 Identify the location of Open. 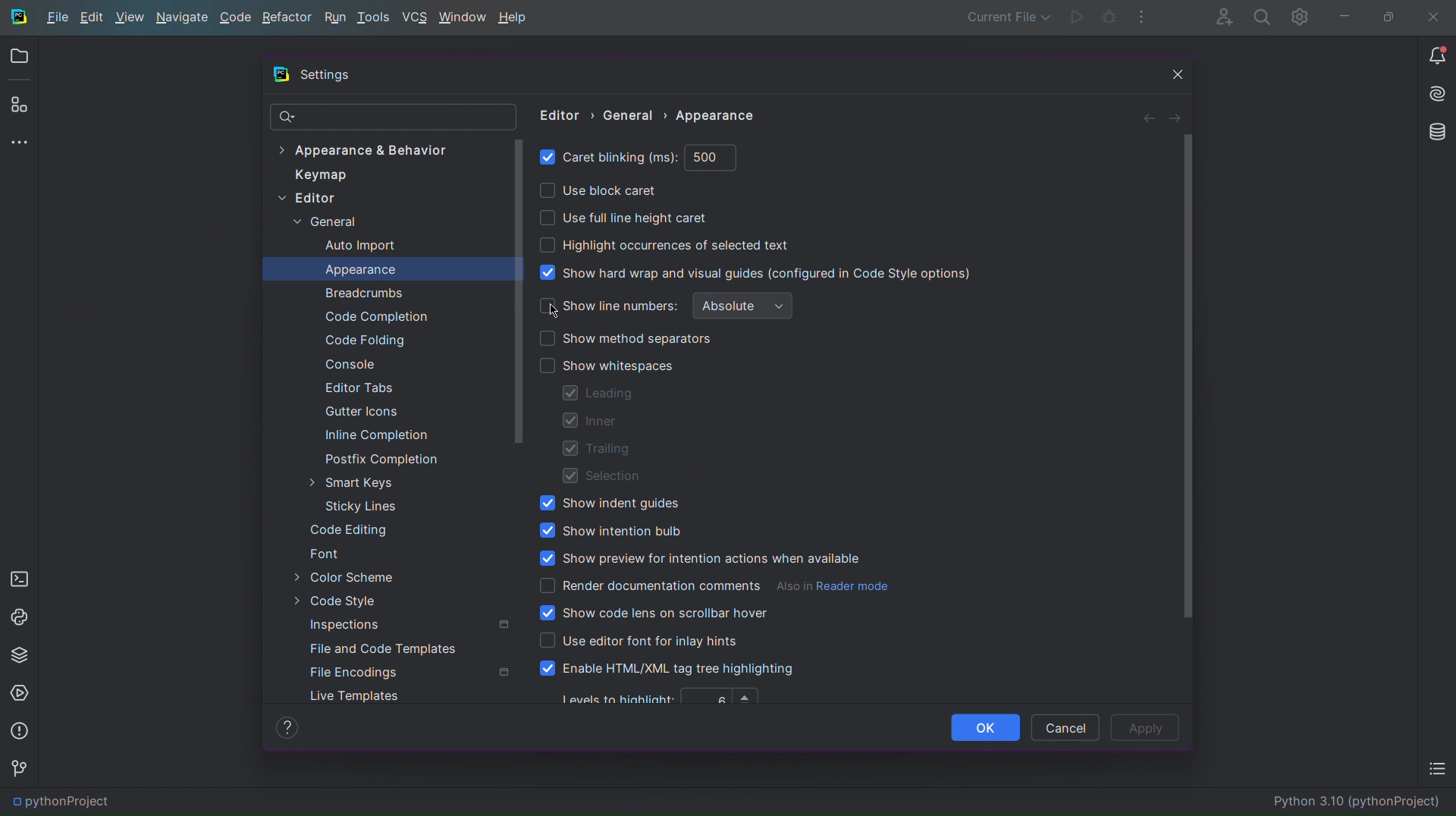
(21, 58).